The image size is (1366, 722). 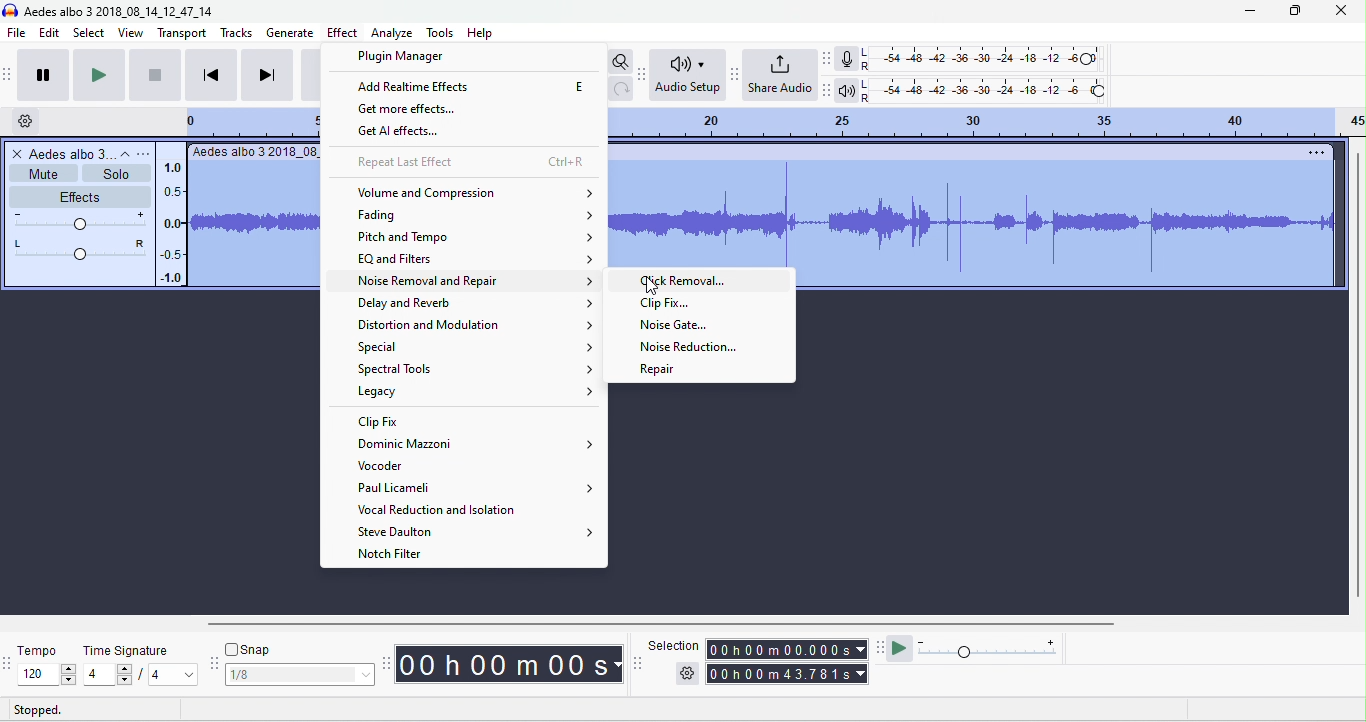 I want to click on tempo, so click(x=37, y=649).